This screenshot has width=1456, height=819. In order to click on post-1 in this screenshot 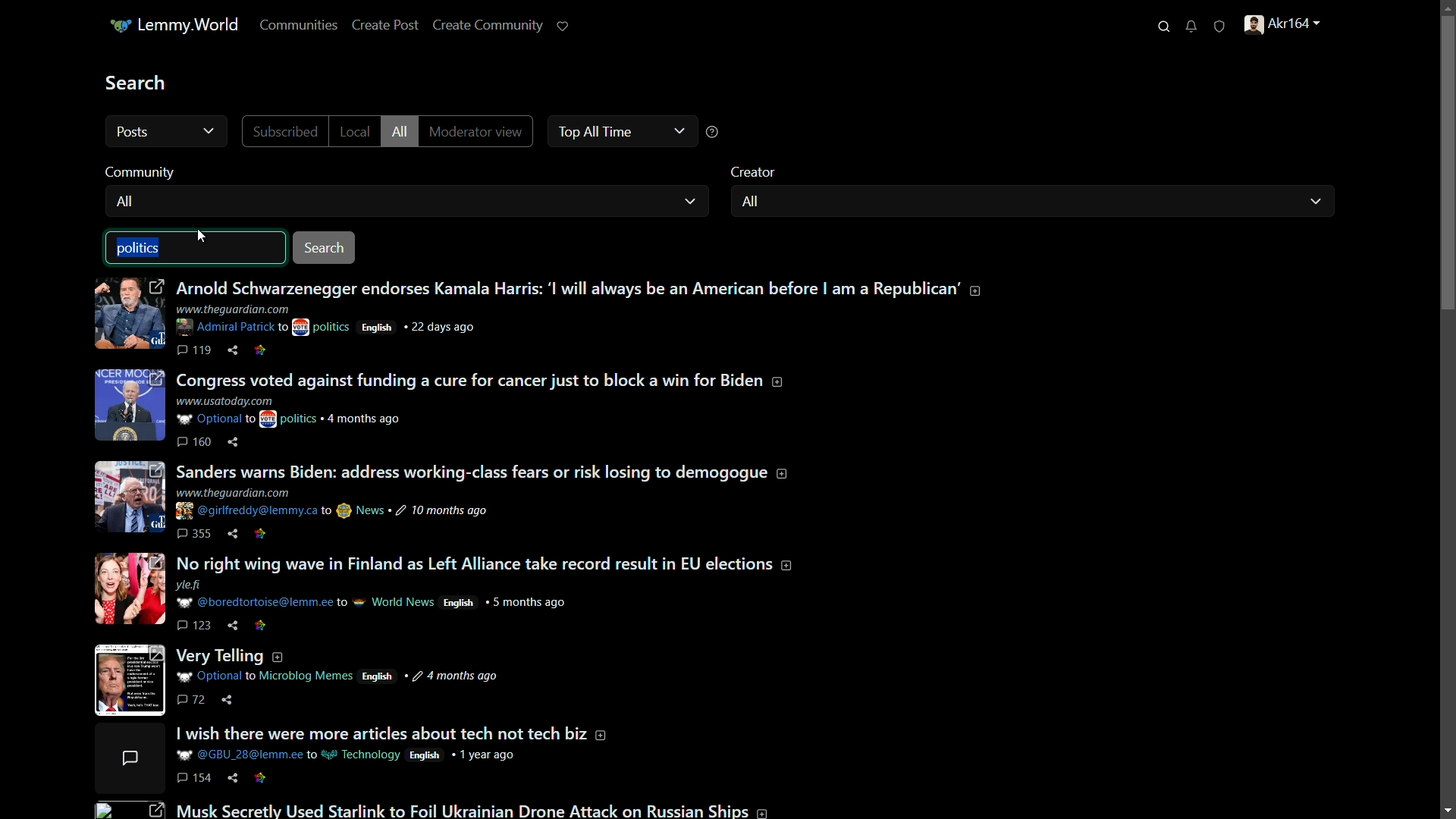, I will do `click(538, 318)`.